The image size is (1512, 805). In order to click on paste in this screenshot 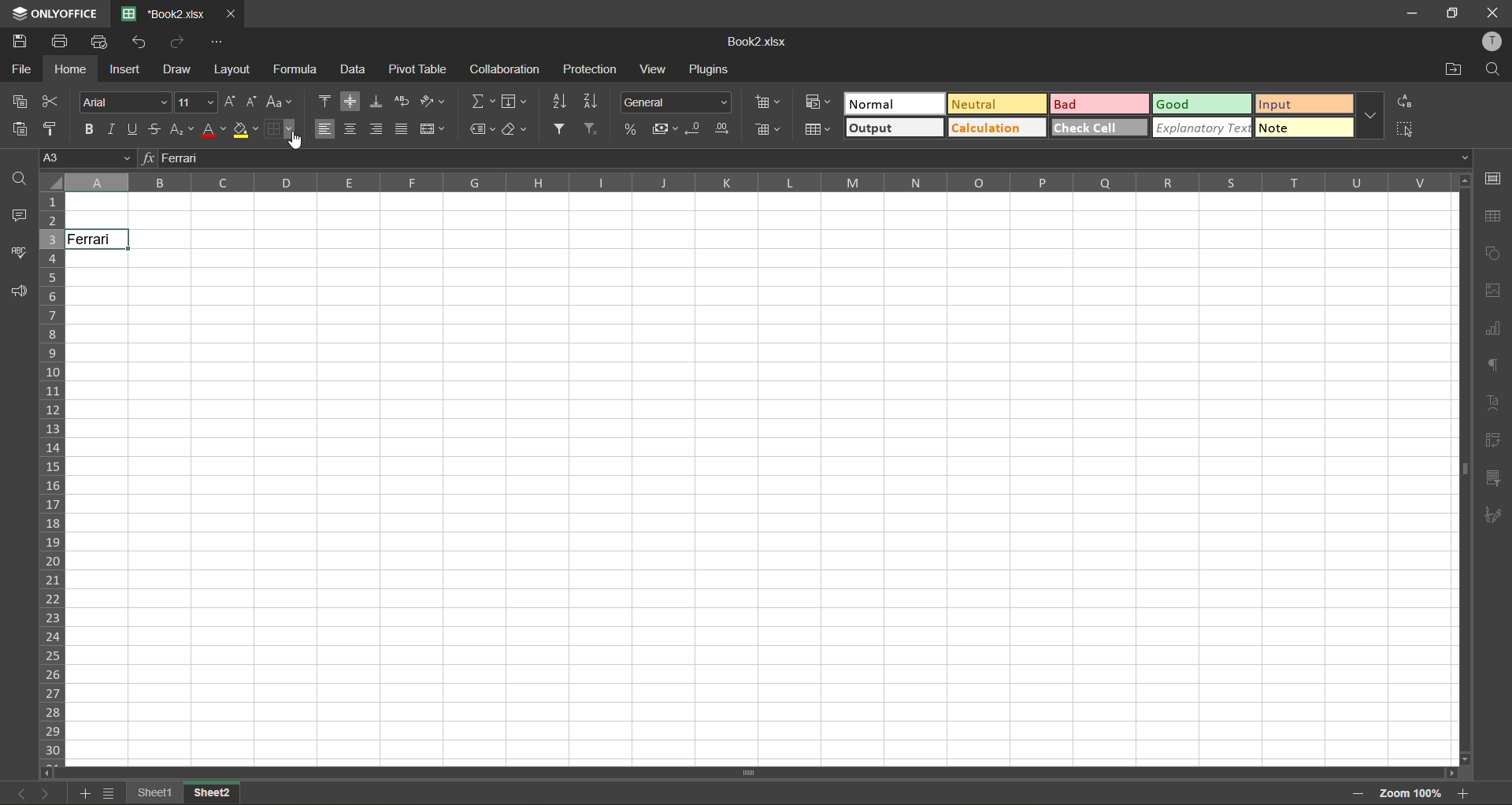, I will do `click(20, 132)`.